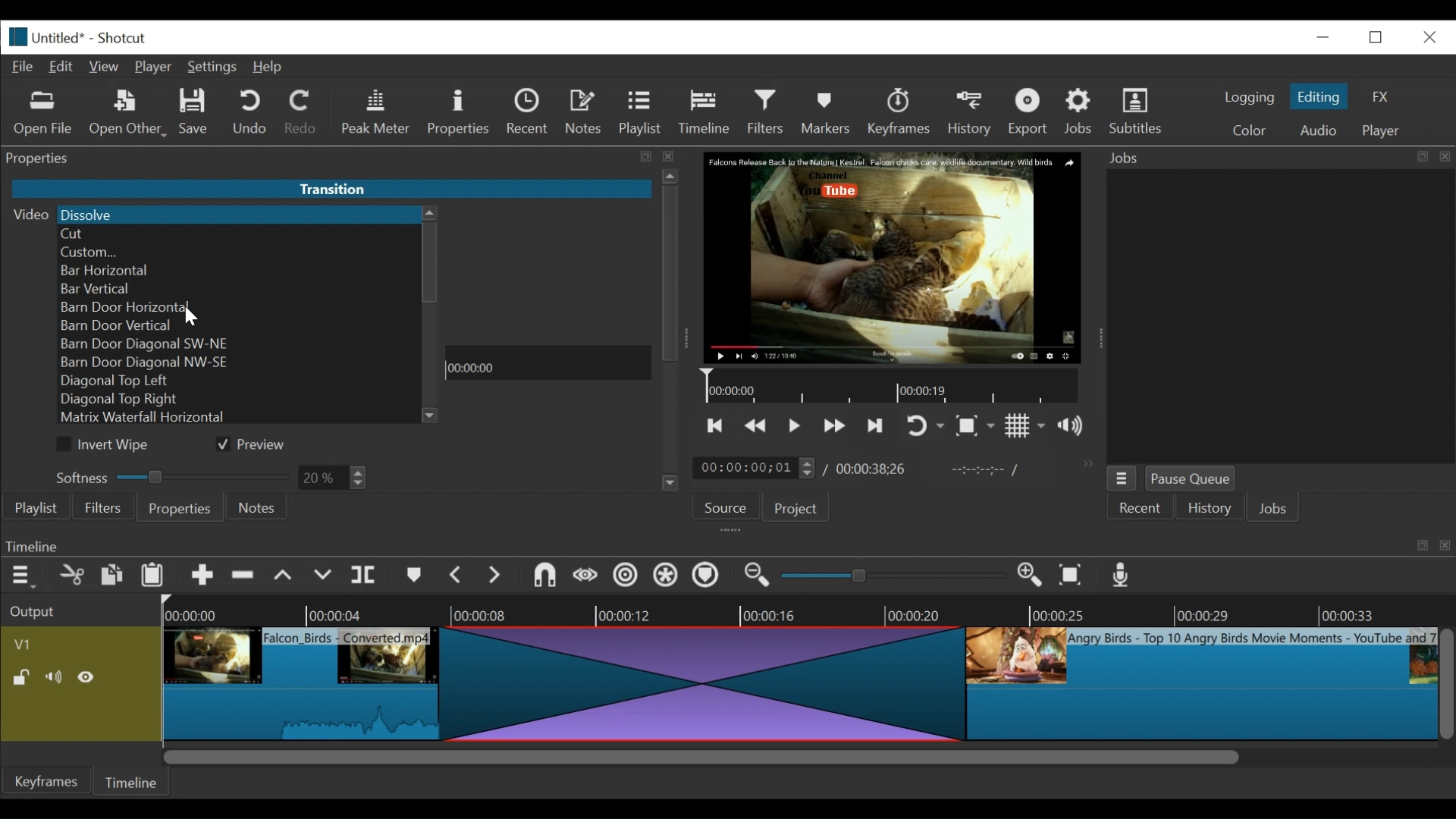  Describe the element at coordinates (1202, 686) in the screenshot. I see `clip` at that location.